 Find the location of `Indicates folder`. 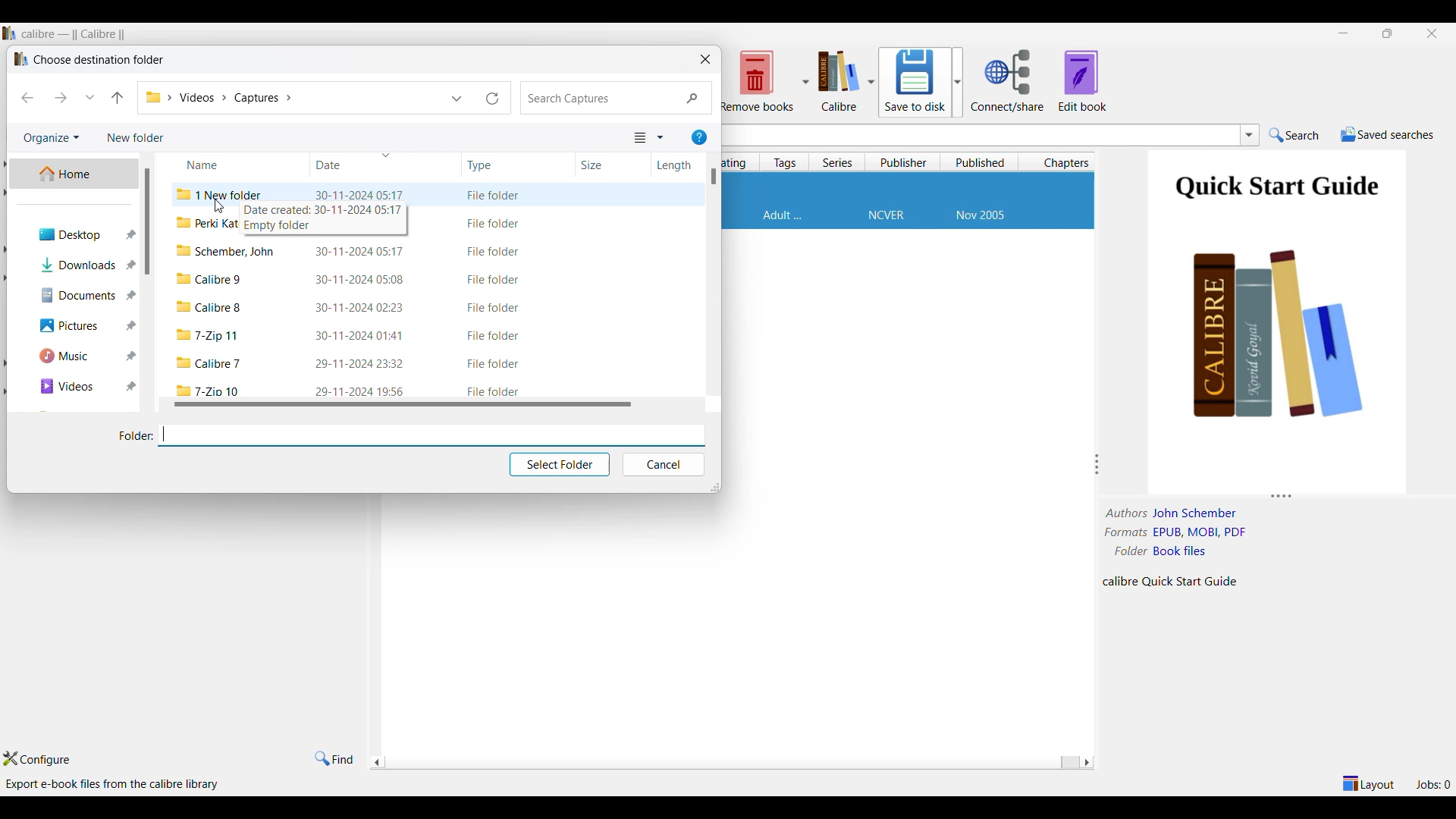

Indicates folder is located at coordinates (136, 436).